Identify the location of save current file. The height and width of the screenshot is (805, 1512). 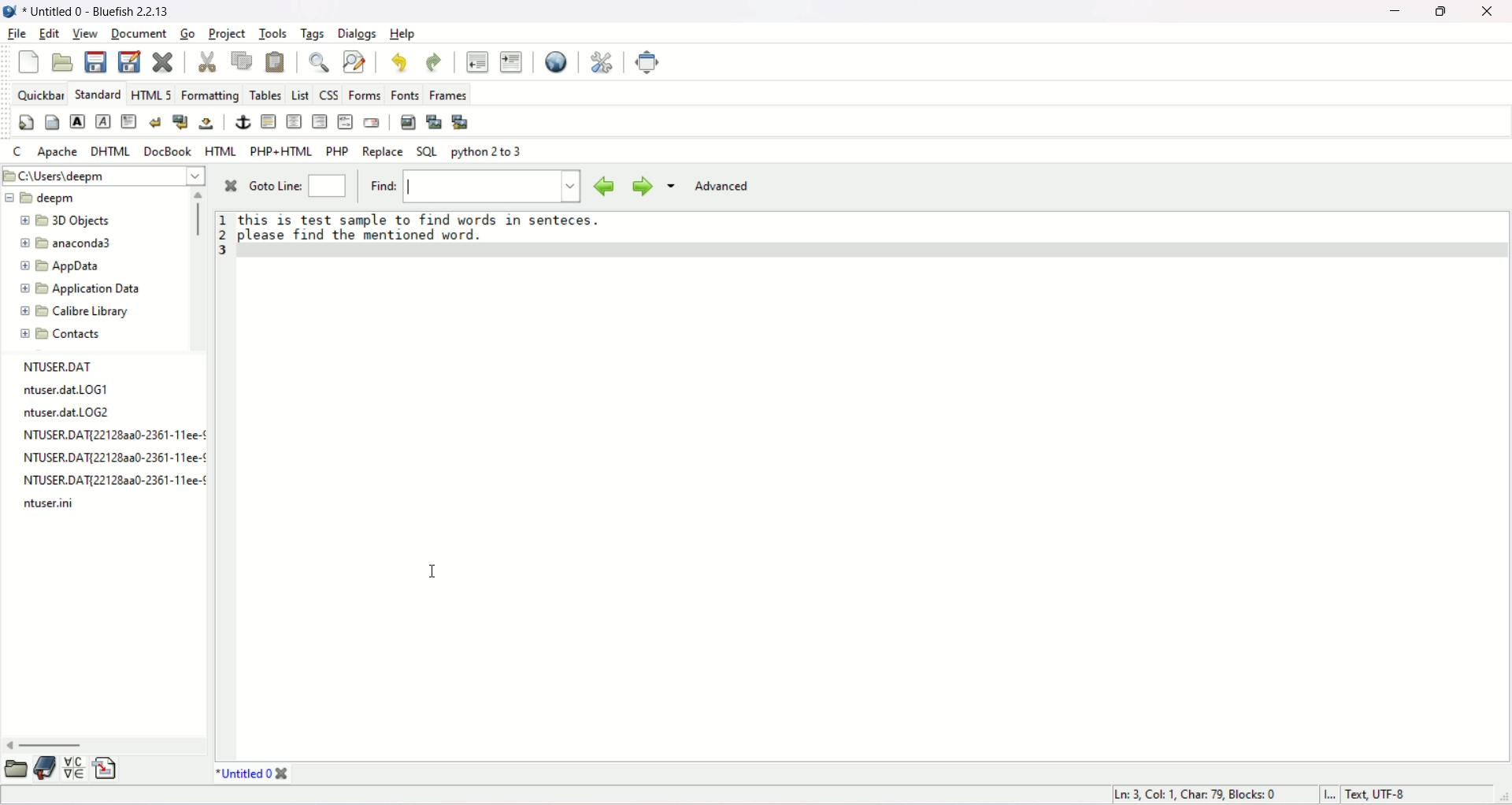
(94, 60).